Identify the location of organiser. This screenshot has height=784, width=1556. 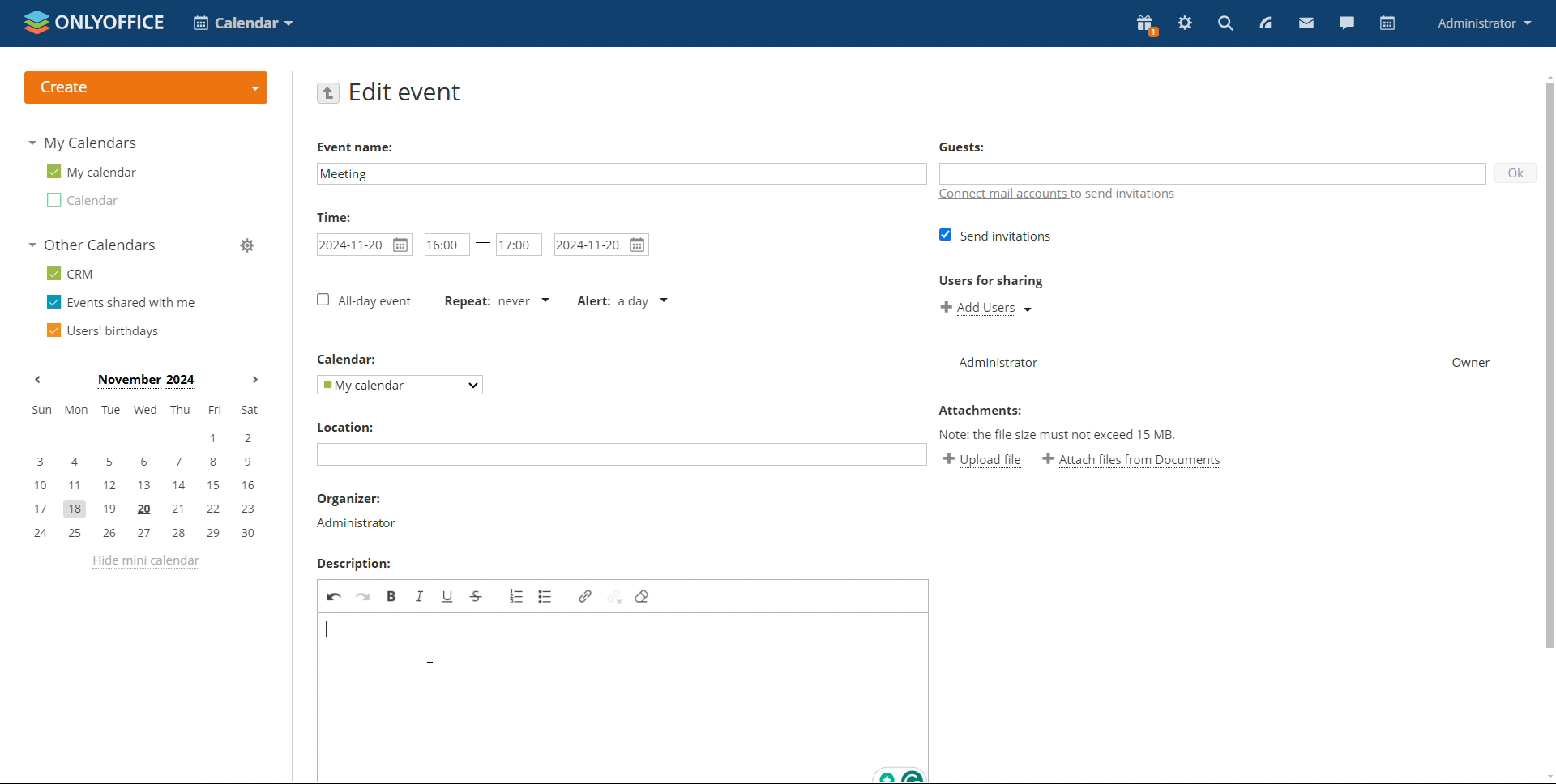
(355, 523).